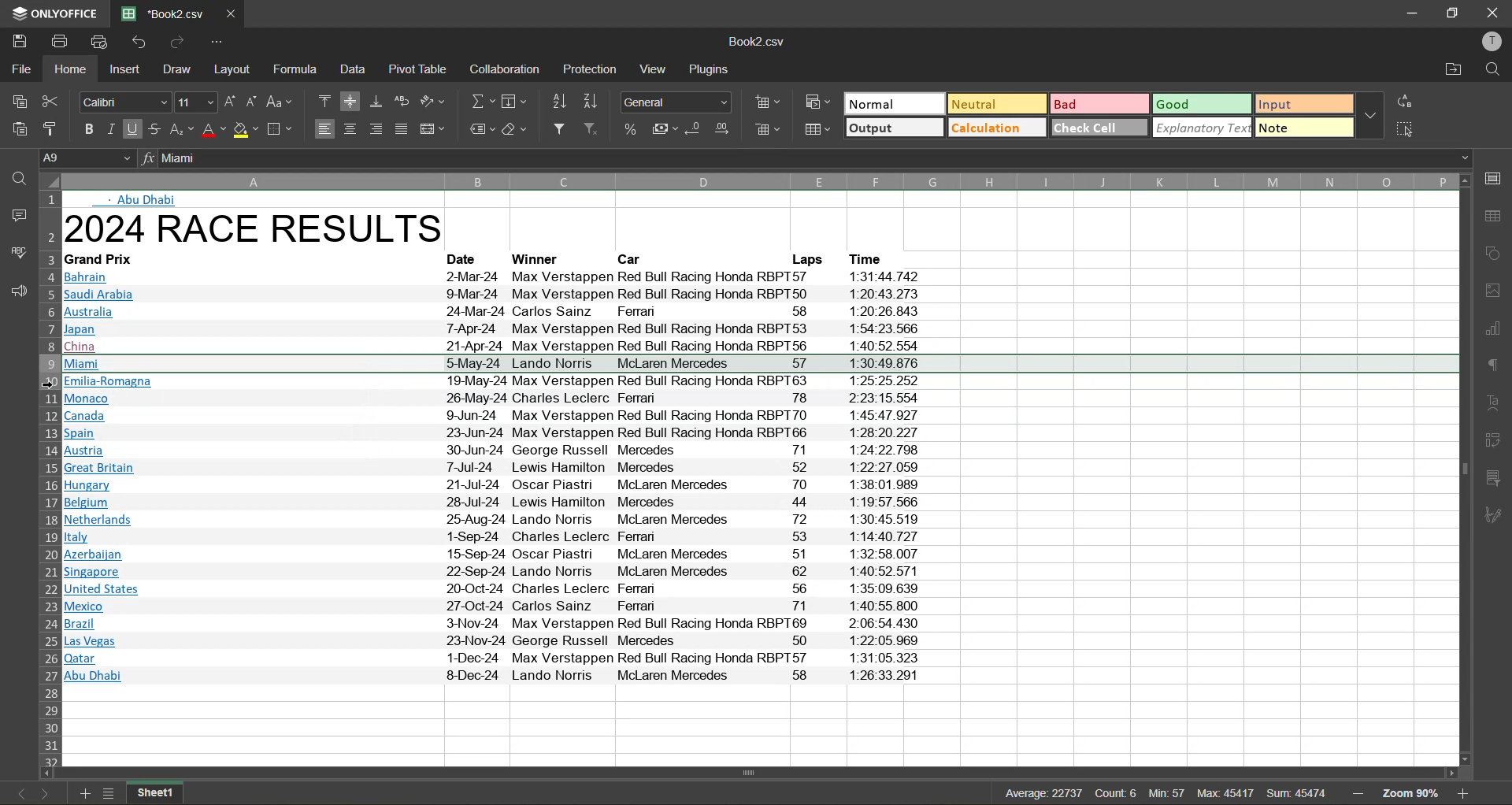 Image resolution: width=1512 pixels, height=805 pixels. Describe the element at coordinates (752, 773) in the screenshot. I see `Horizontal scrollbar` at that location.